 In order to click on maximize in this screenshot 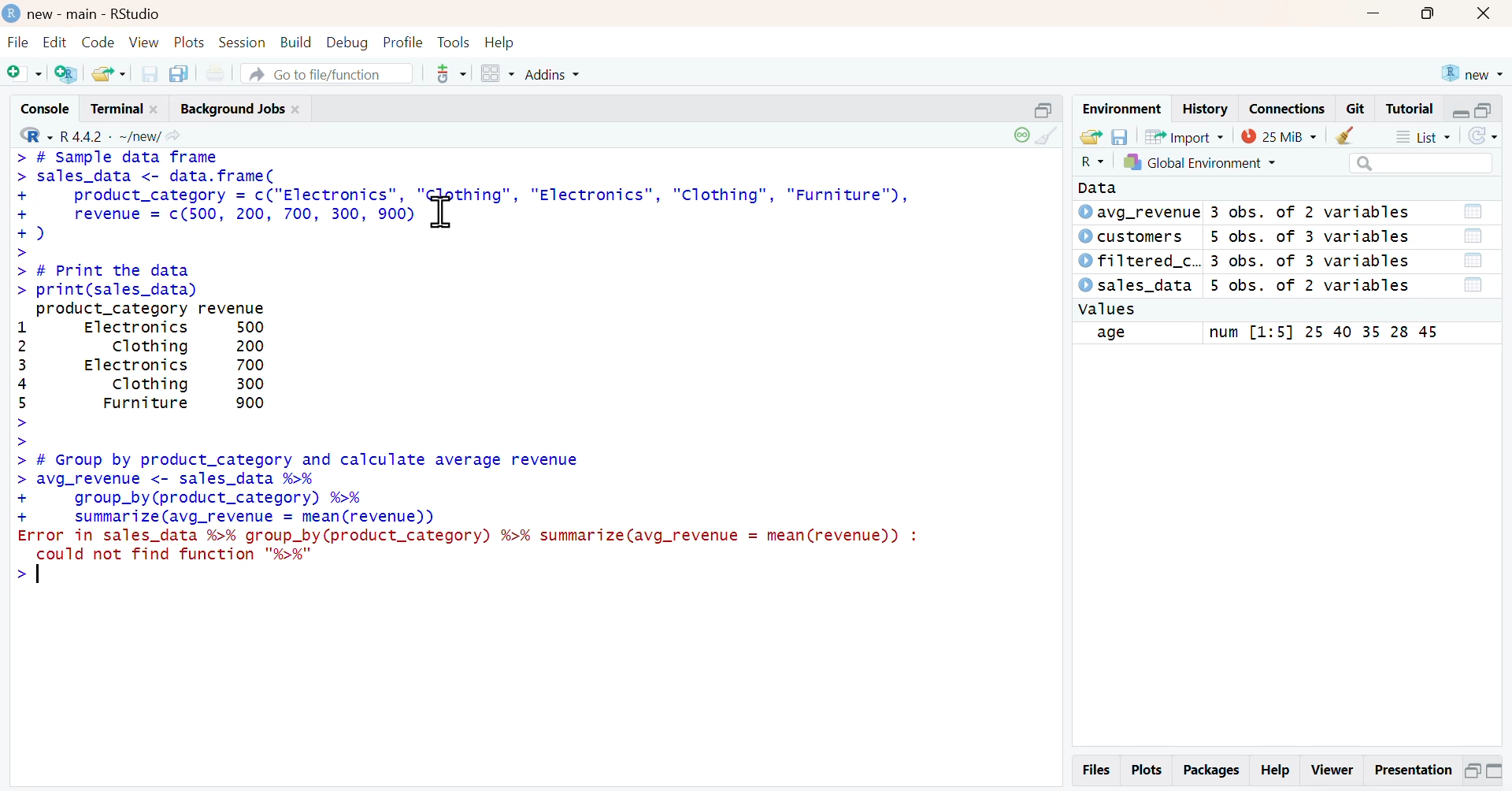, I will do `click(1425, 14)`.